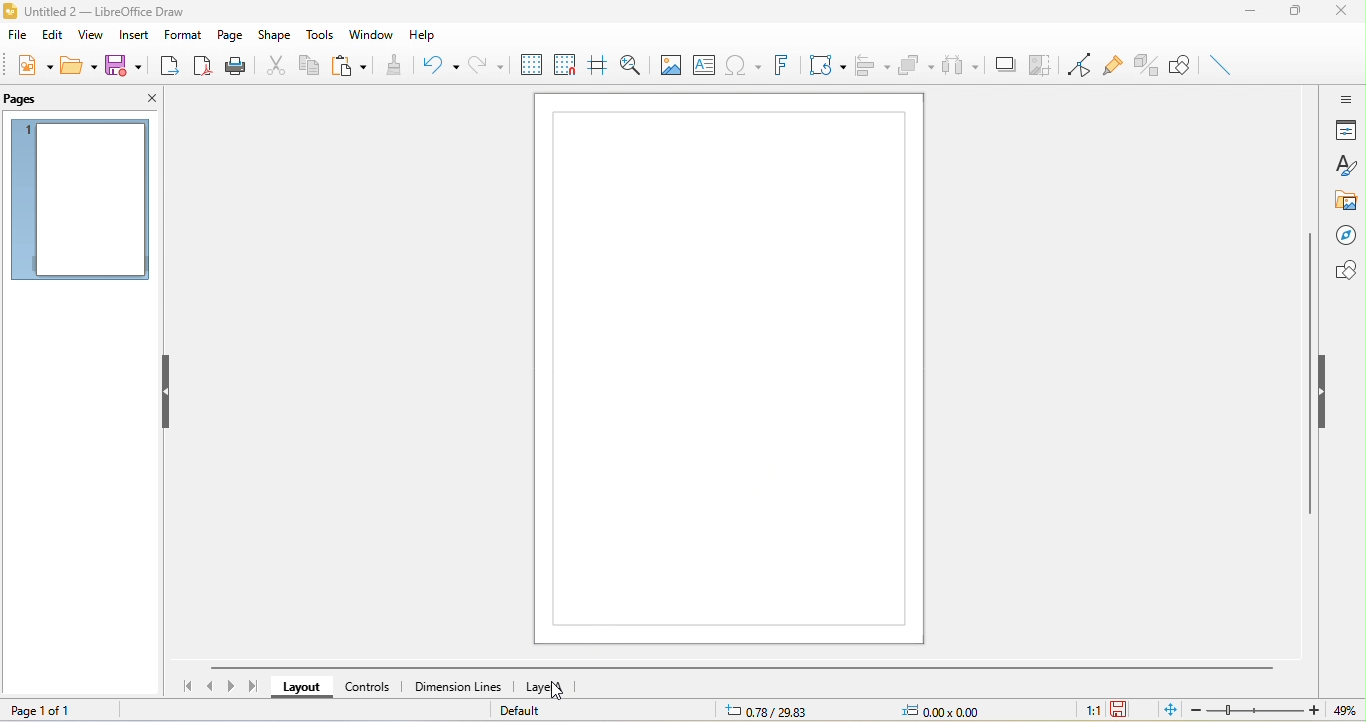  Describe the element at coordinates (1227, 64) in the screenshot. I see `toggle extrusion` at that location.